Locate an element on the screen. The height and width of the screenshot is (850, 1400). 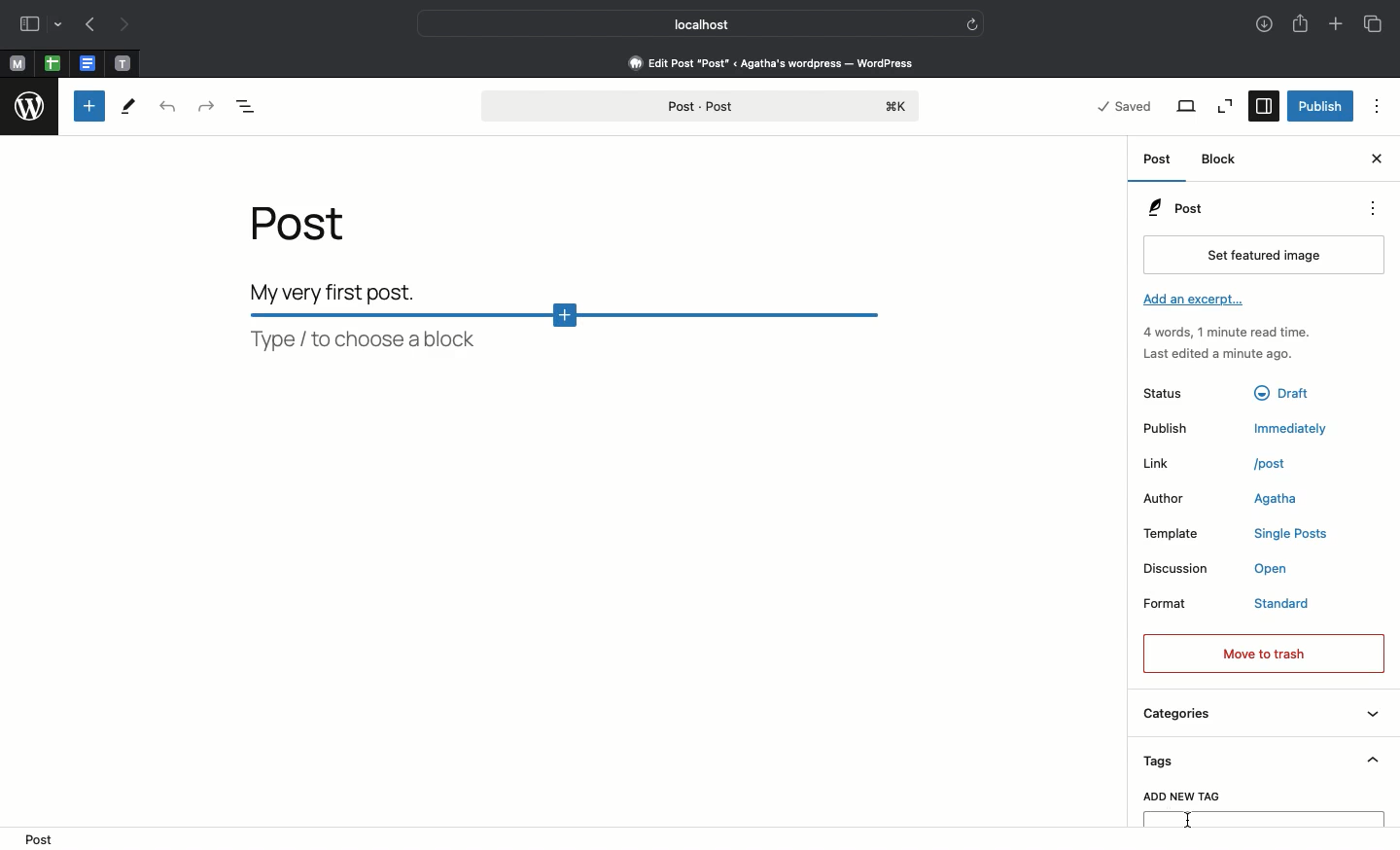
Edit post is located at coordinates (784, 62).